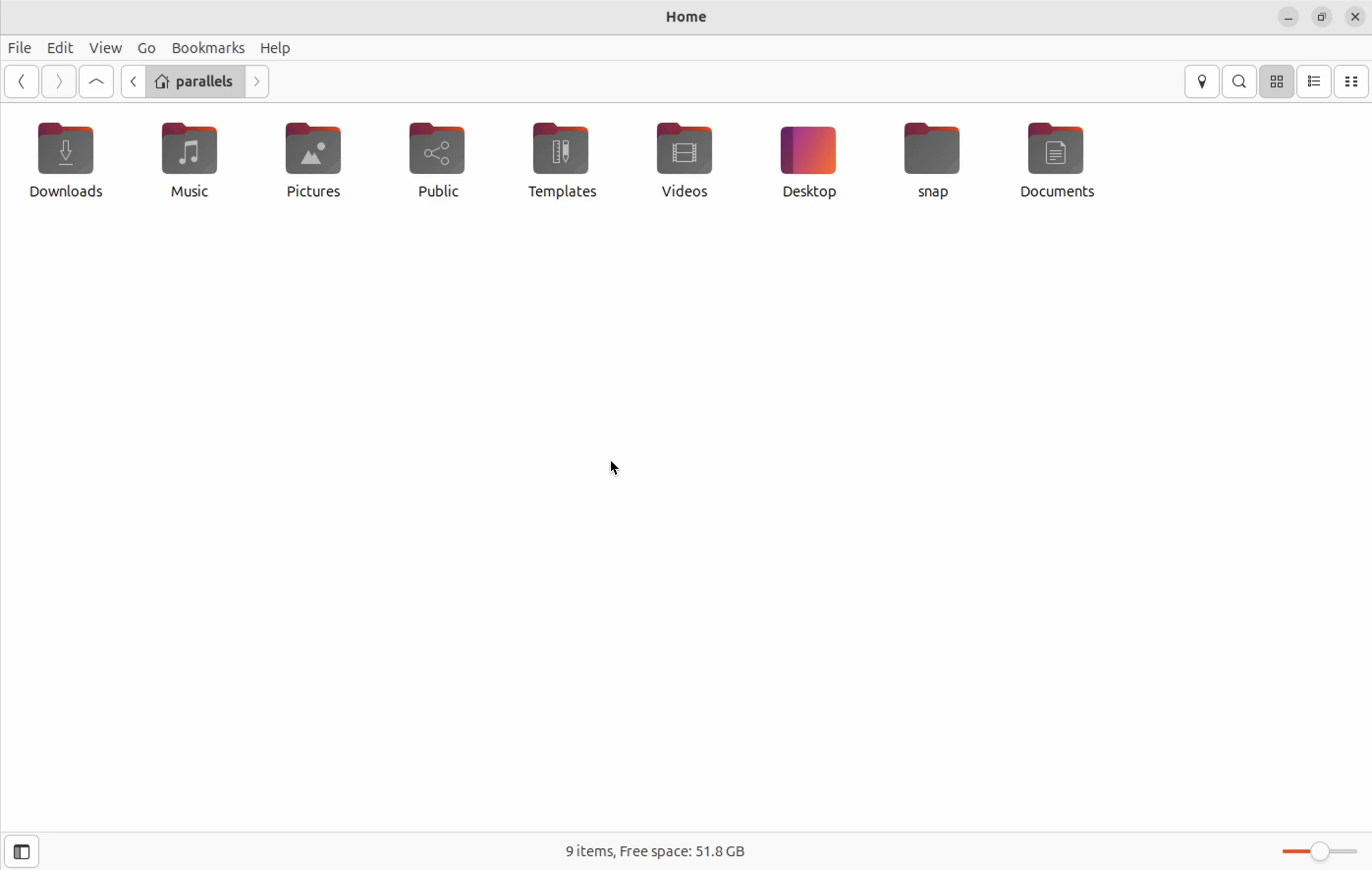 The image size is (1372, 870). I want to click on videos, so click(685, 160).